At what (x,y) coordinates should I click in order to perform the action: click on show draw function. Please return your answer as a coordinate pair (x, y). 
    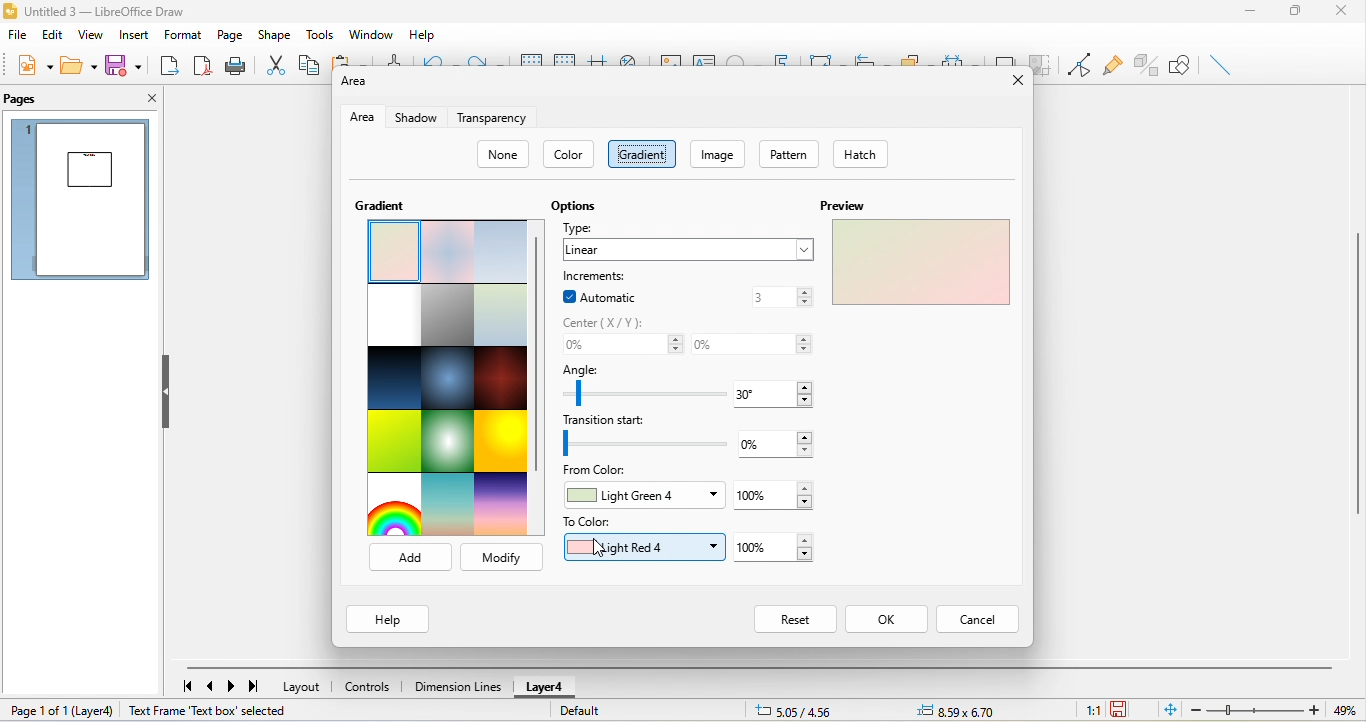
    Looking at the image, I should click on (1185, 65).